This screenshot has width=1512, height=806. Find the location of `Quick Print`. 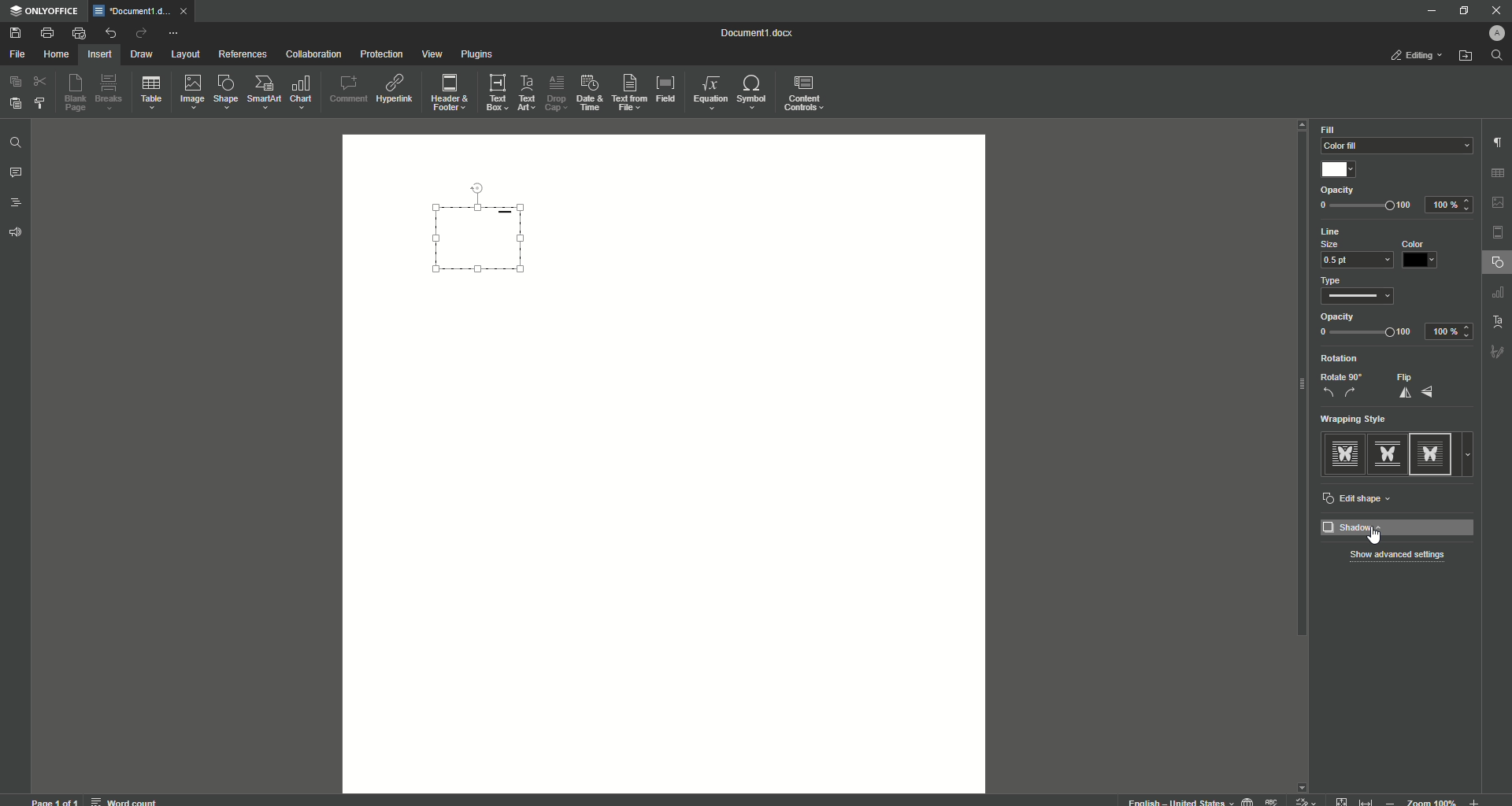

Quick Print is located at coordinates (79, 33).